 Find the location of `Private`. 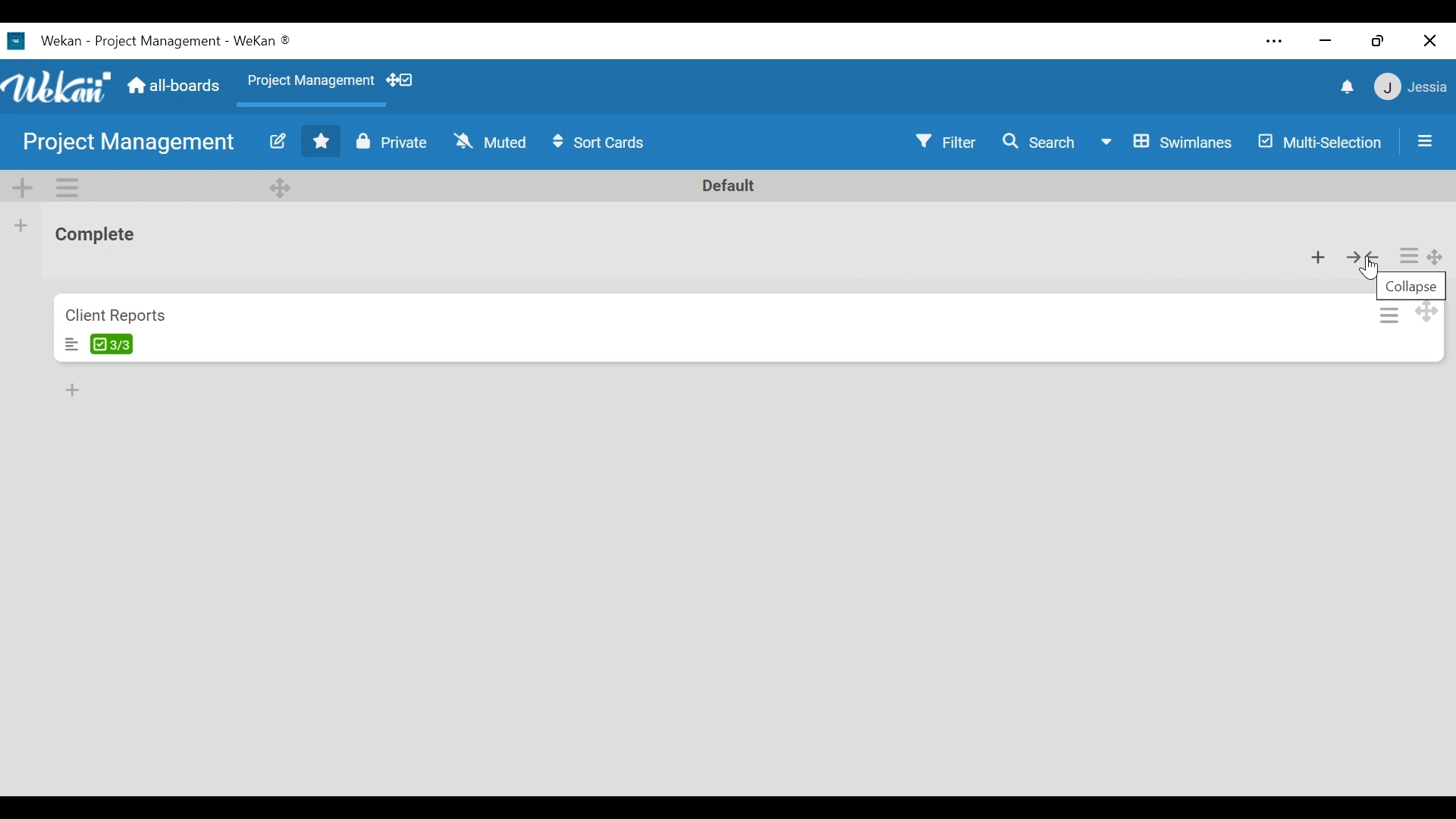

Private is located at coordinates (393, 140).